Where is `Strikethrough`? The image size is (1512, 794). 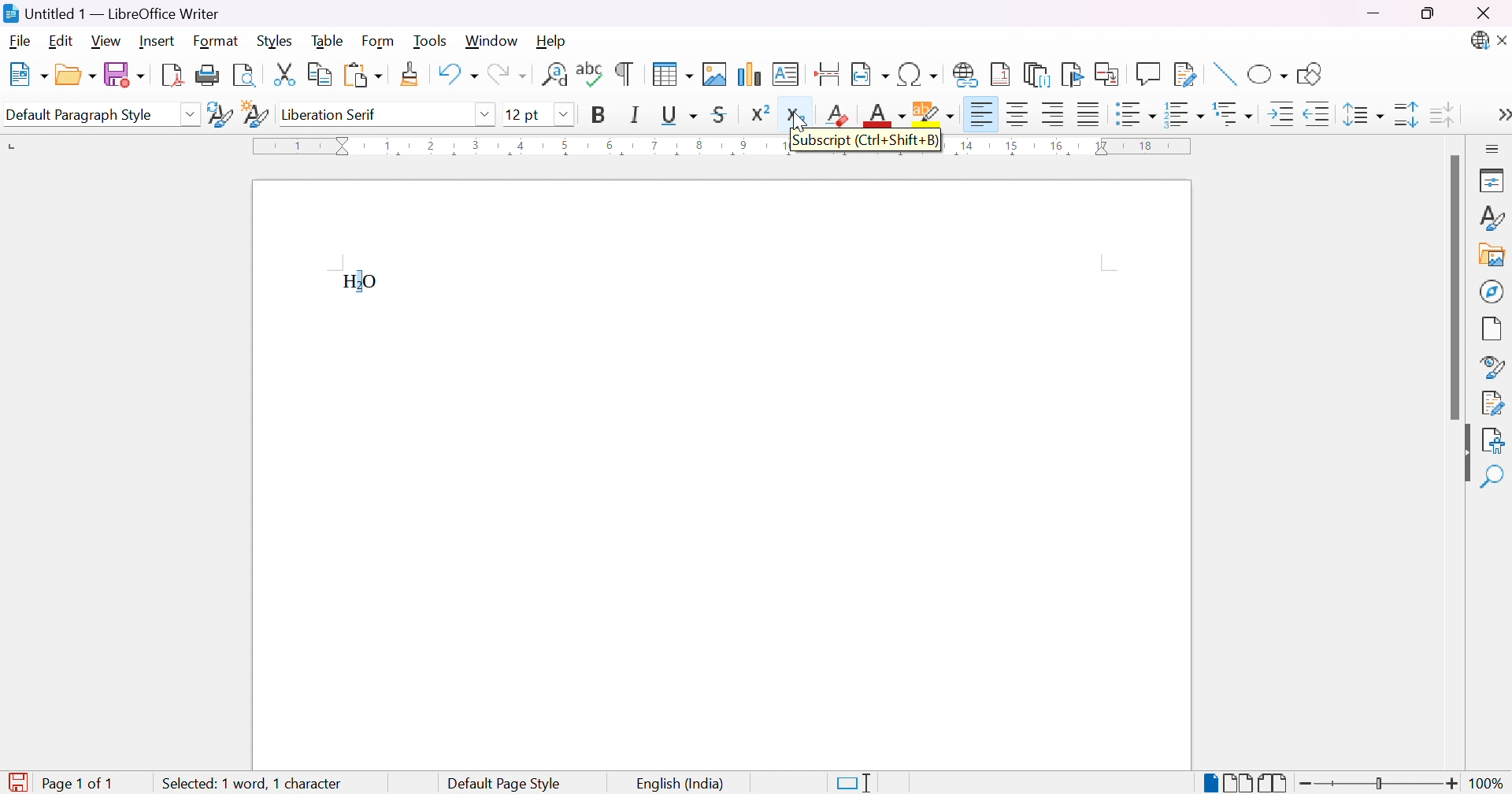
Strikethrough is located at coordinates (723, 114).